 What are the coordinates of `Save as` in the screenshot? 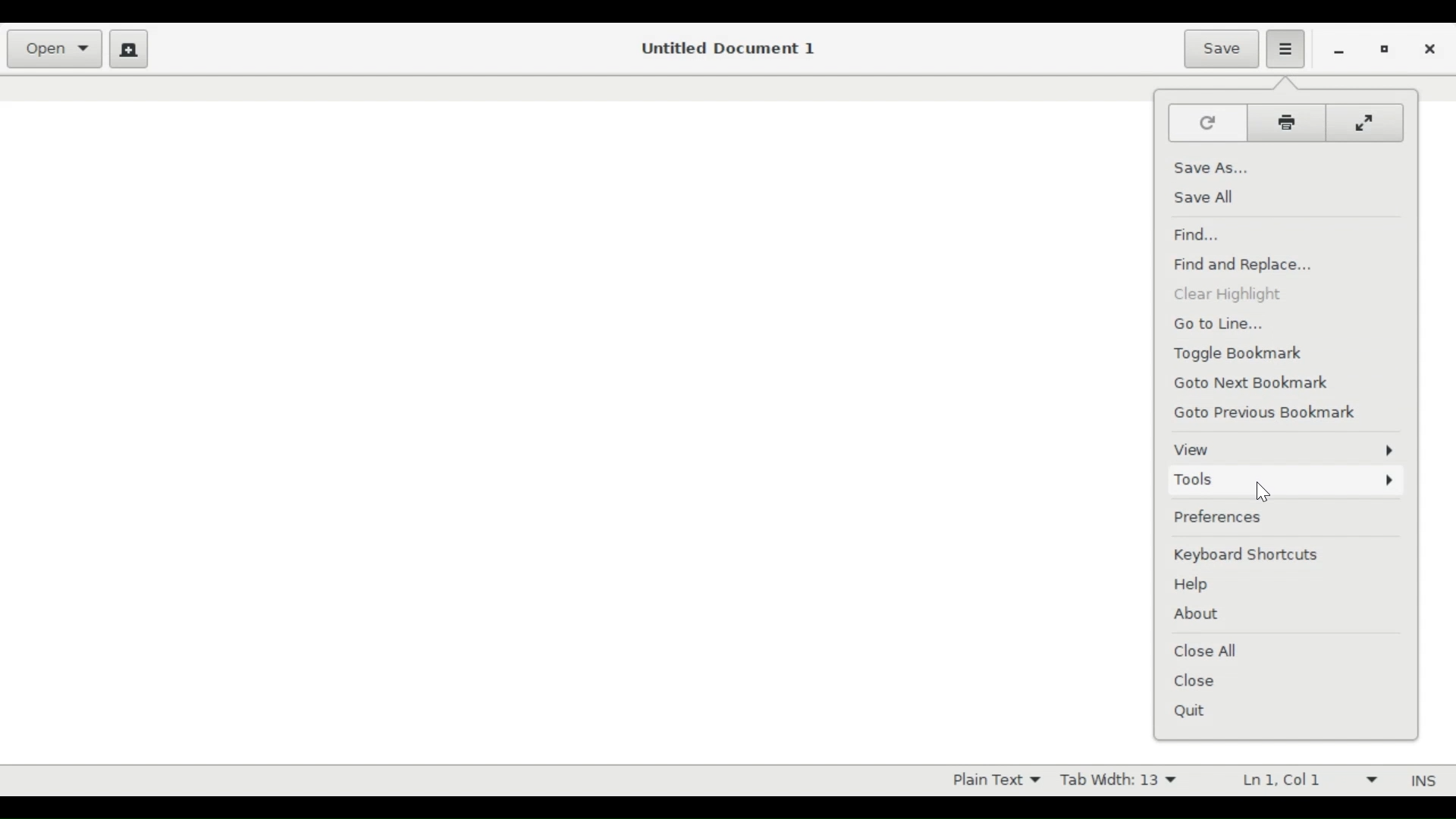 It's located at (1211, 167).